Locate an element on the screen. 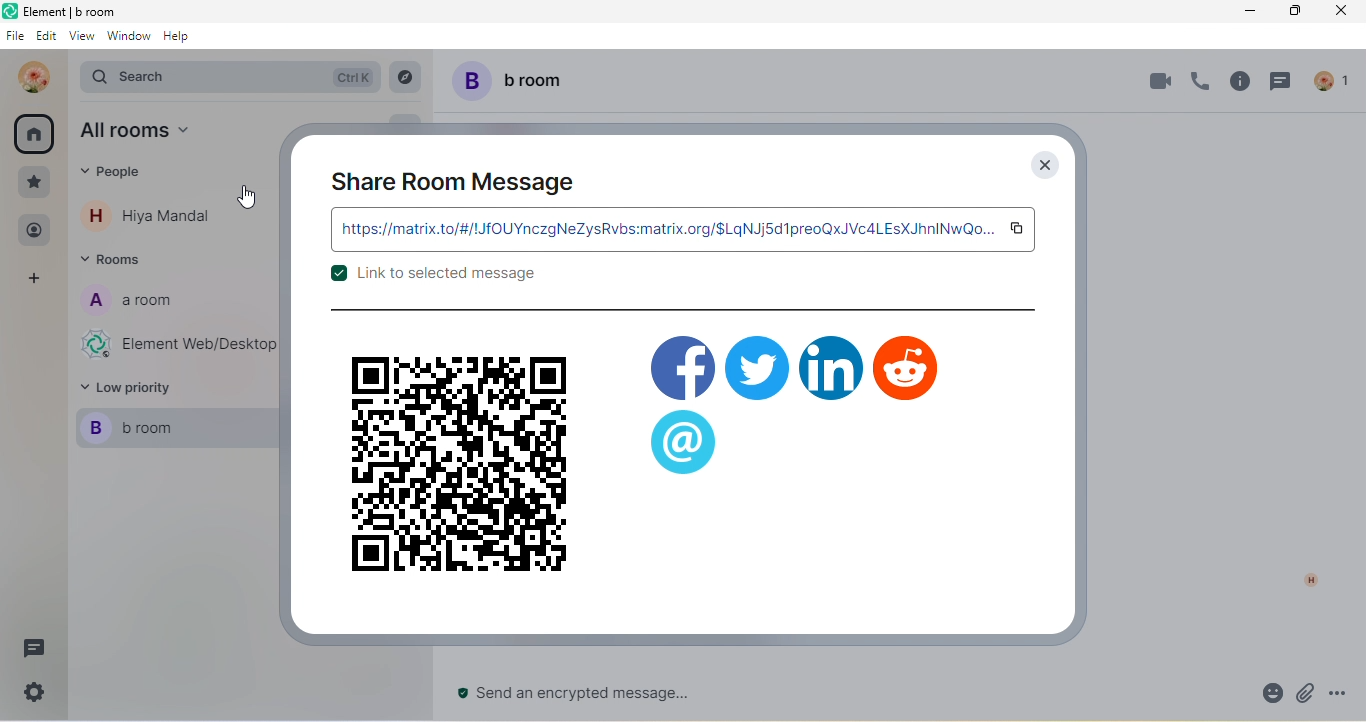  all room is located at coordinates (152, 134).